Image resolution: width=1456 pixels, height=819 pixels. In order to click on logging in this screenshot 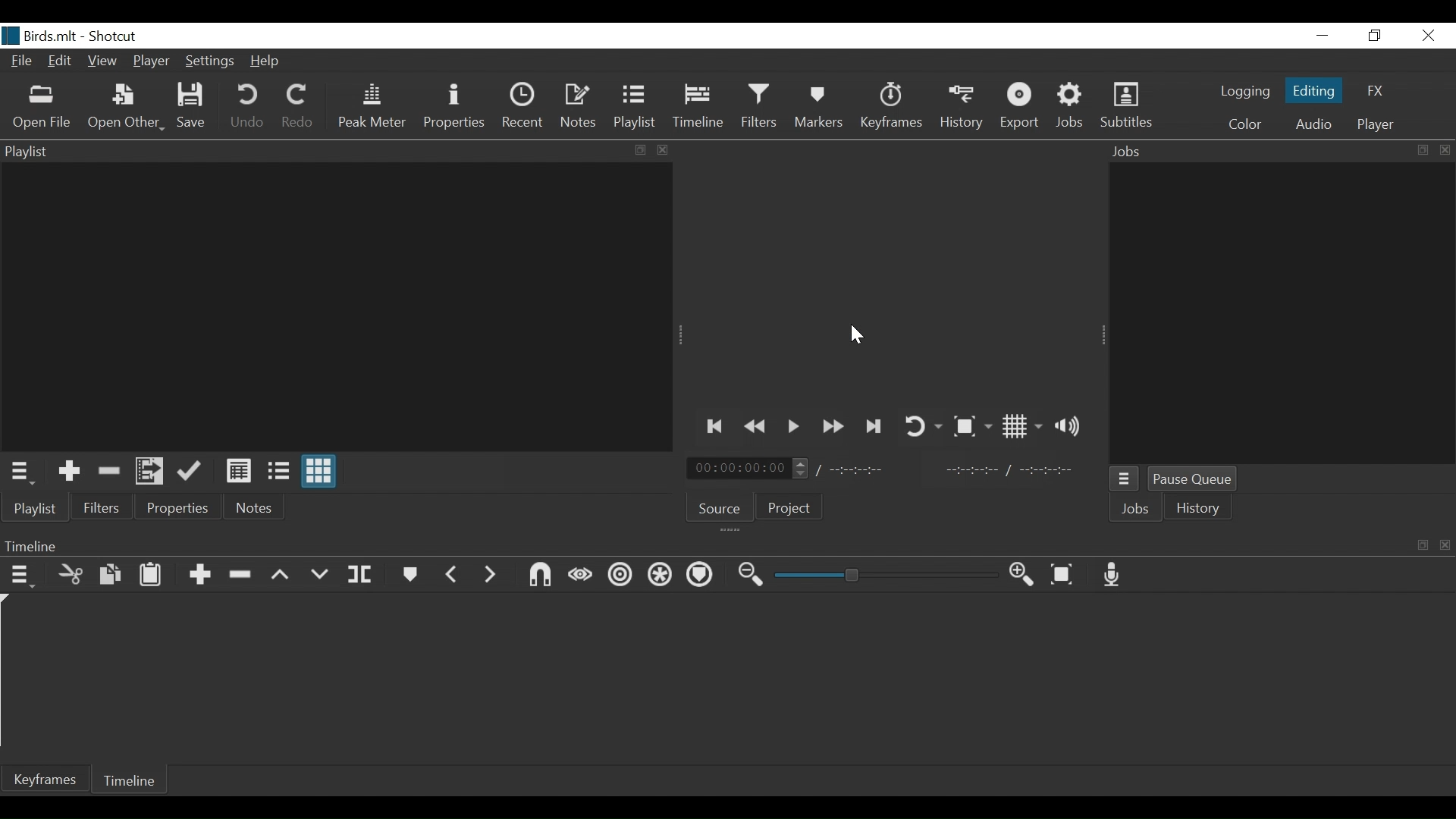, I will do `click(1244, 93)`.